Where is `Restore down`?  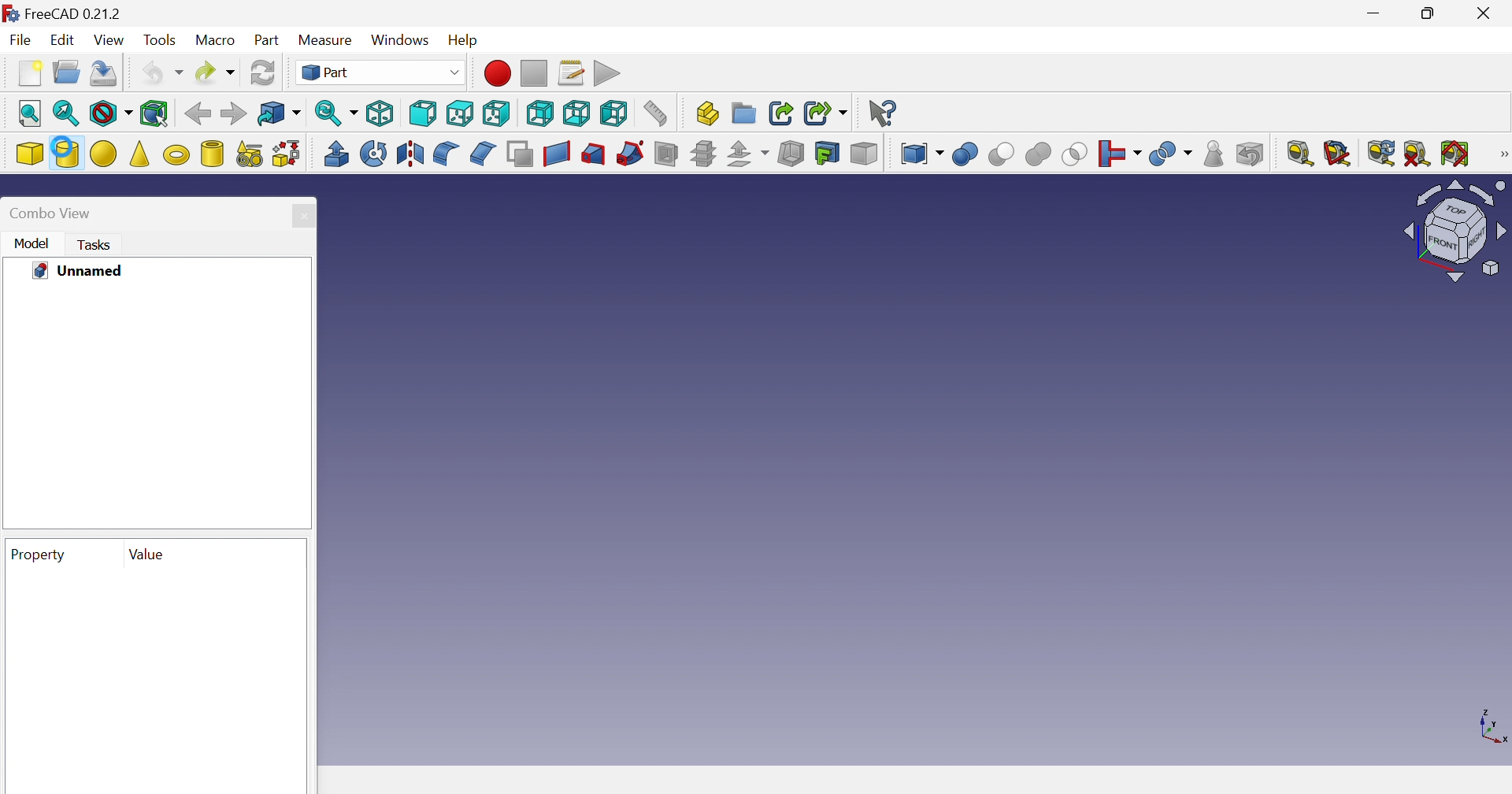 Restore down is located at coordinates (1432, 13).